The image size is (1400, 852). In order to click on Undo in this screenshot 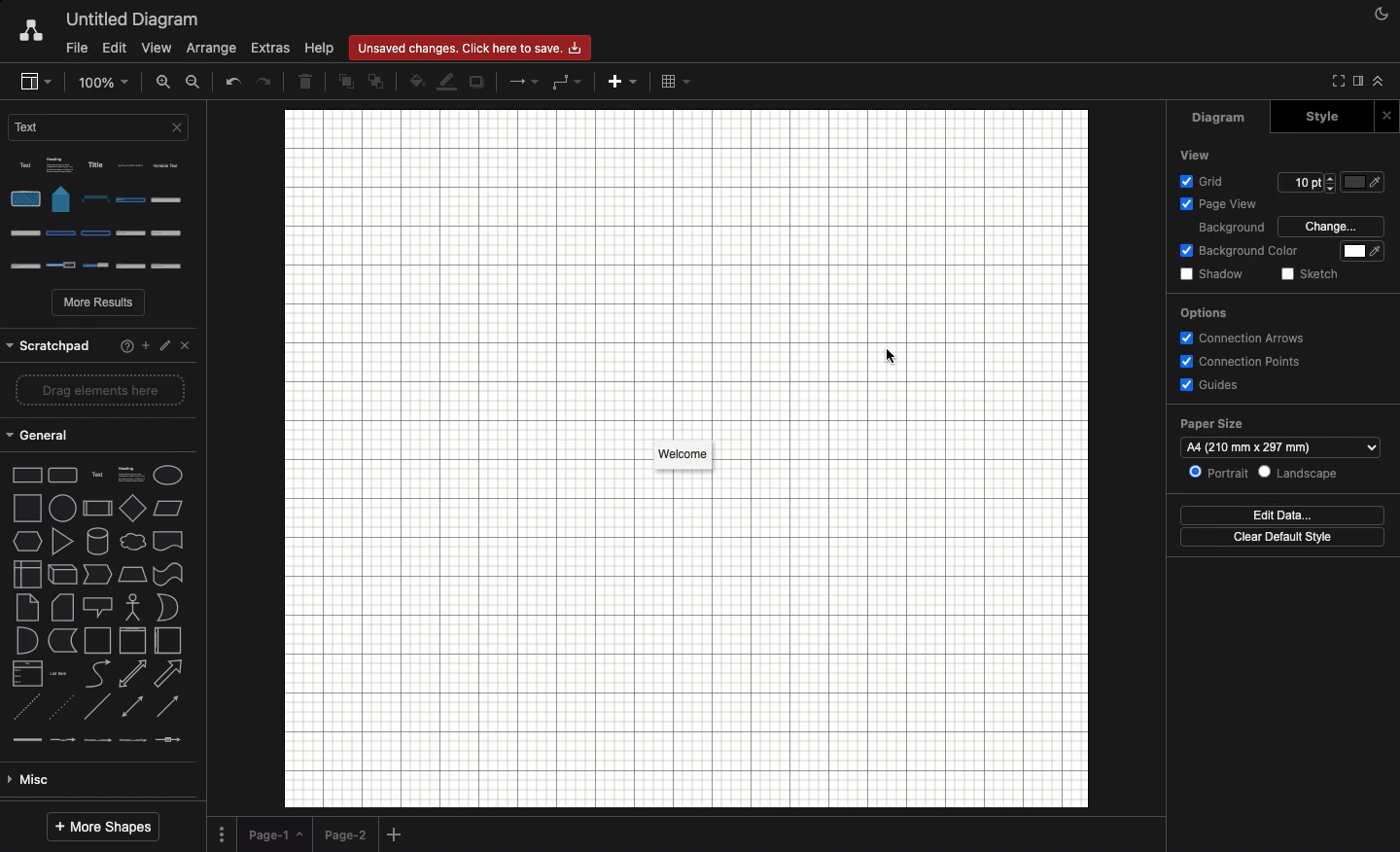, I will do `click(232, 83)`.